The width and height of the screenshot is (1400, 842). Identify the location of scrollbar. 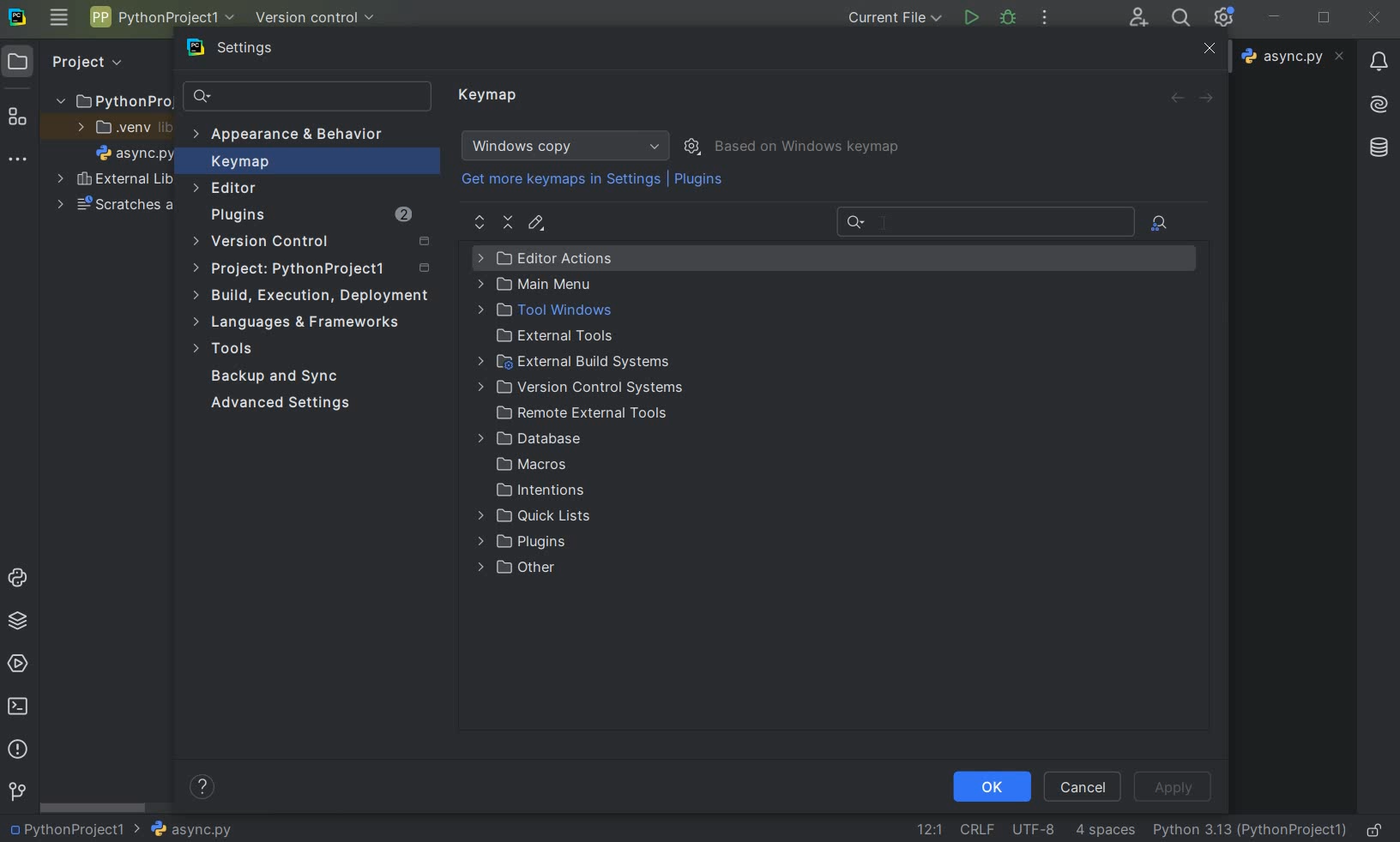
(94, 808).